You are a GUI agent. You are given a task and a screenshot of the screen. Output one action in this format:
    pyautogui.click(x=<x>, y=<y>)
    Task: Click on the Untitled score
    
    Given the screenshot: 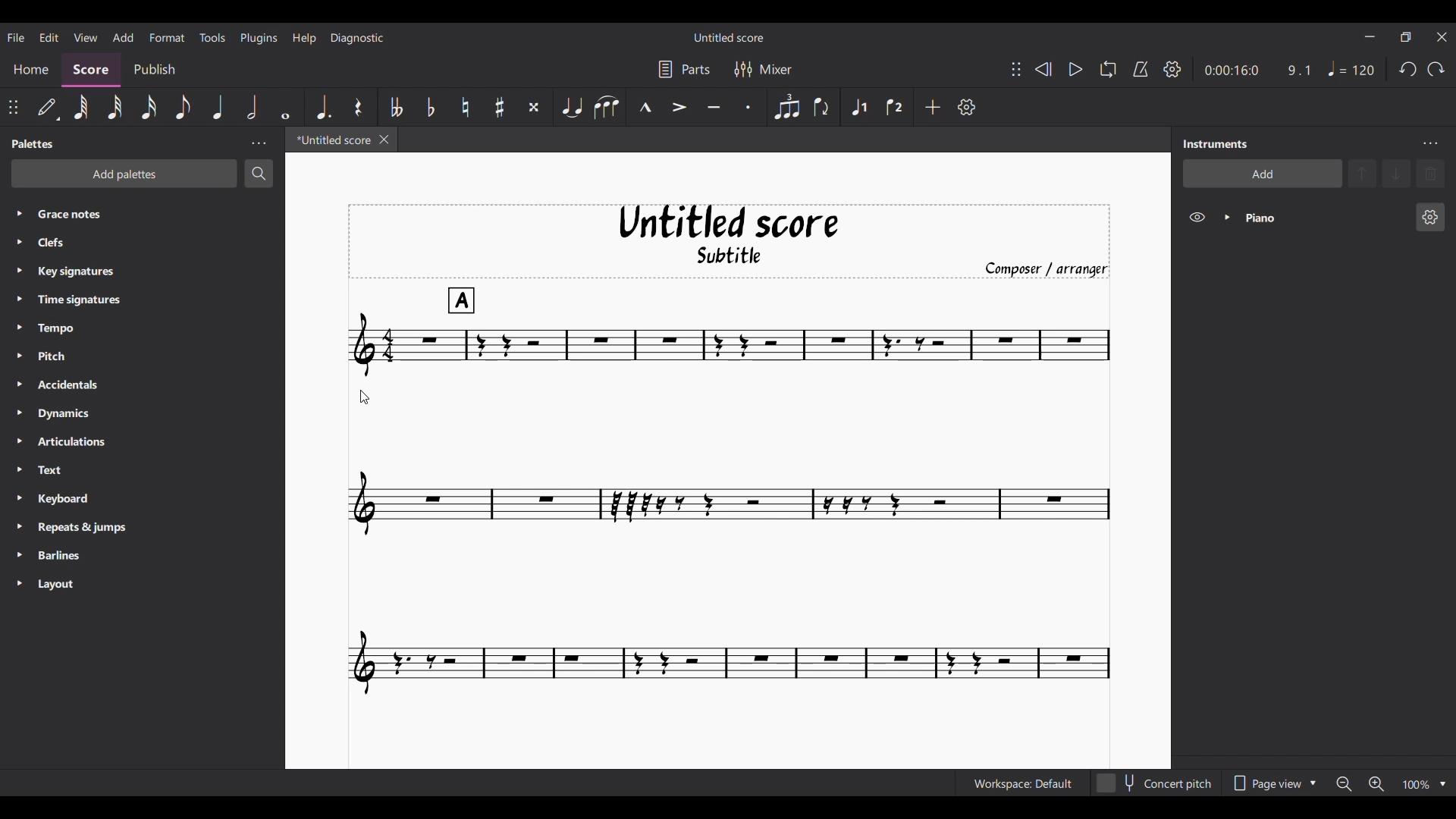 What is the action you would take?
    pyautogui.click(x=729, y=222)
    